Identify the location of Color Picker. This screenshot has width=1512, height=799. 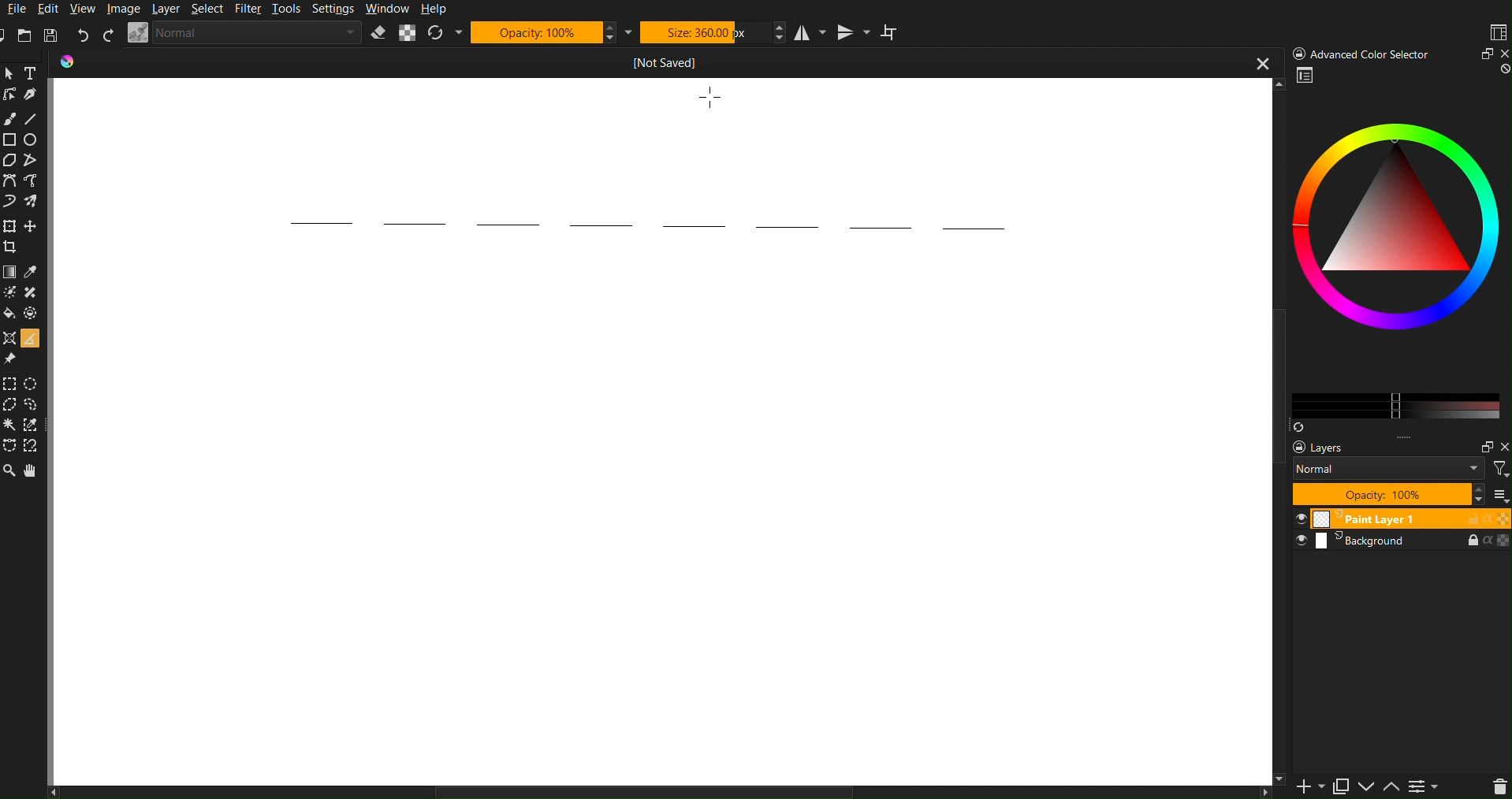
(33, 272).